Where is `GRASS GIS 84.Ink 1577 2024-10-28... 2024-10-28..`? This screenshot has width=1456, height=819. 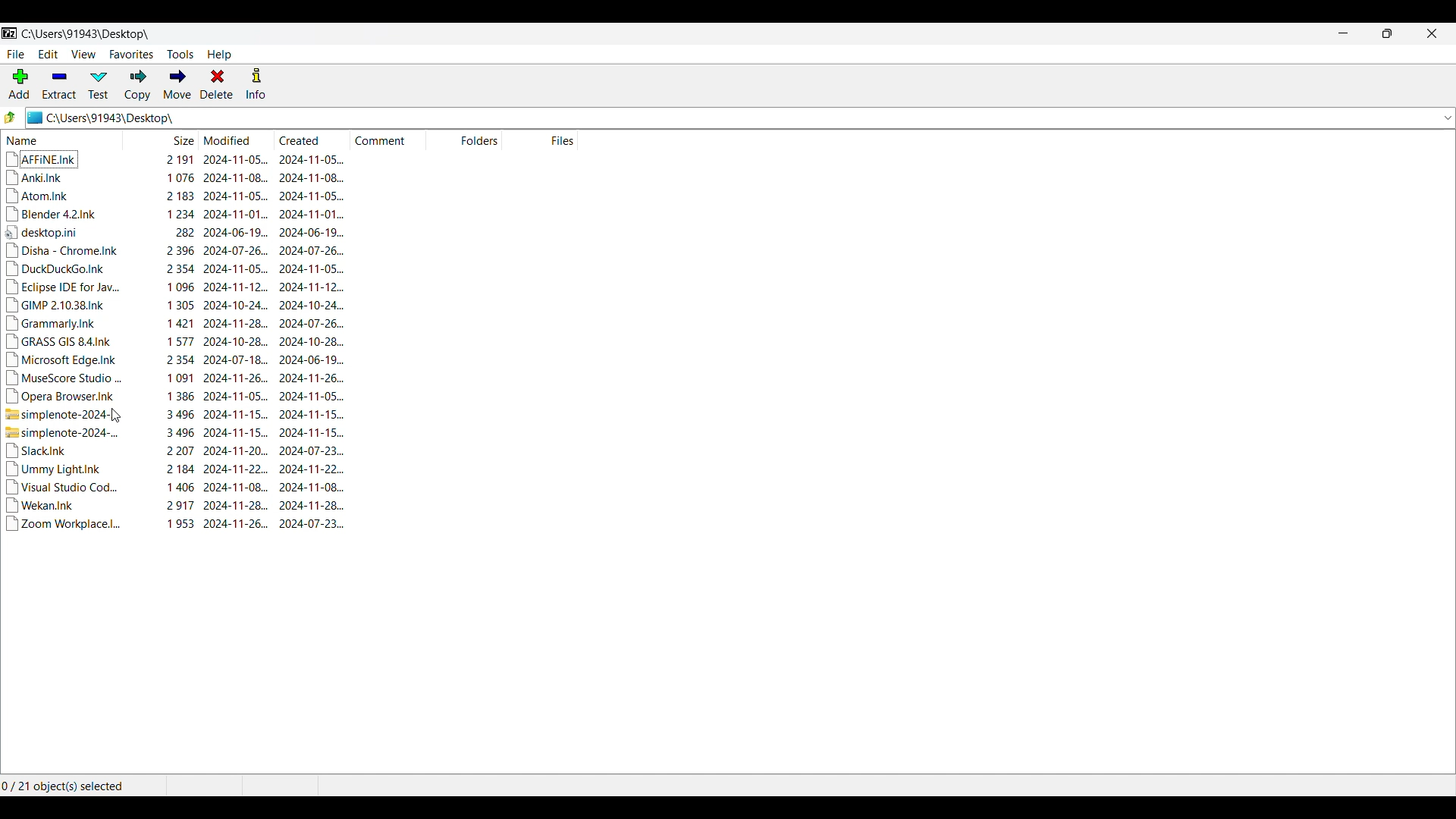 GRASS GIS 84.Ink 1577 2024-10-28... 2024-10-28.. is located at coordinates (174, 342).